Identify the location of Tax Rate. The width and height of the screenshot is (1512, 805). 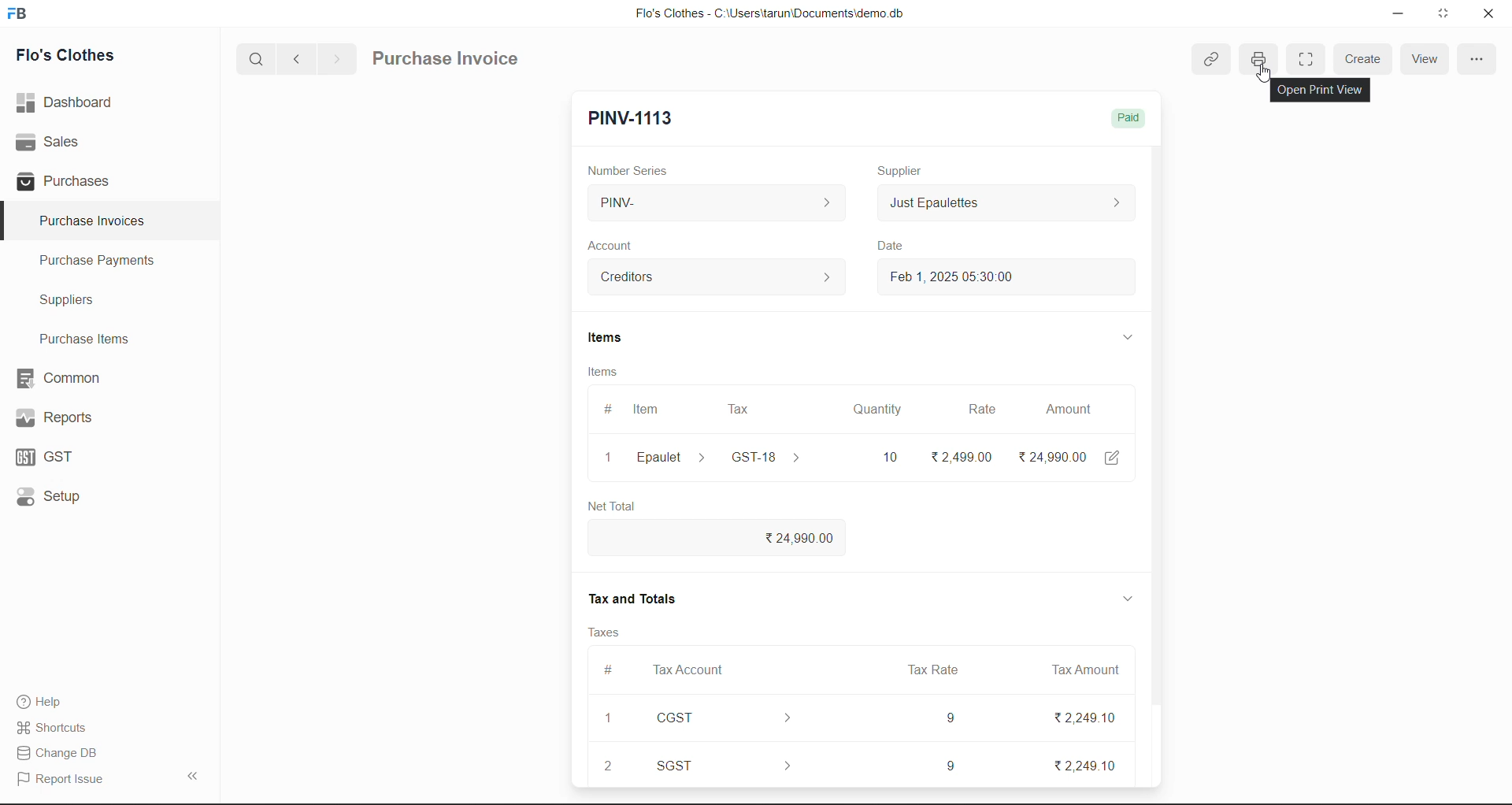
(929, 671).